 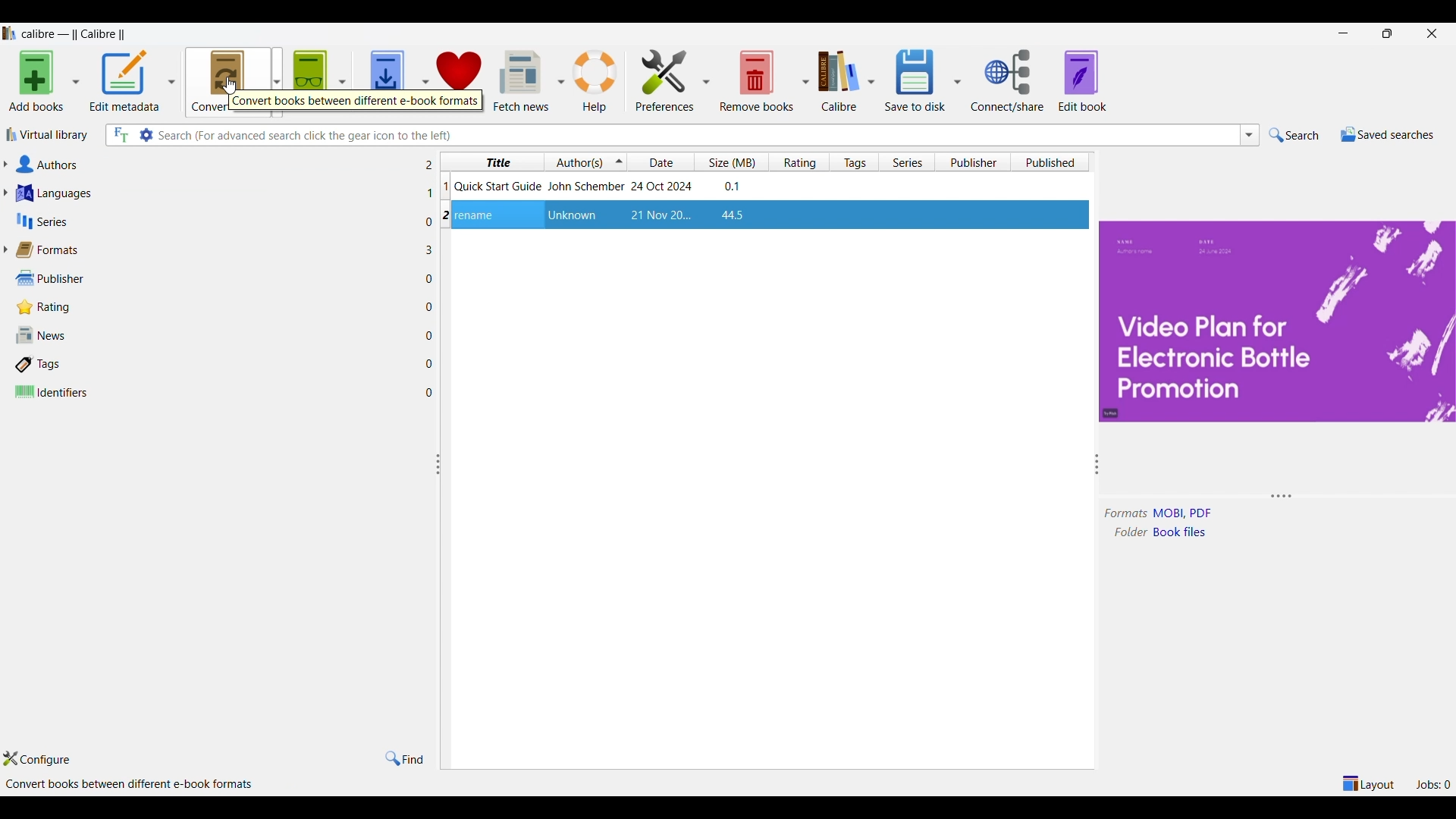 What do you see at coordinates (215, 334) in the screenshot?
I see `News` at bounding box center [215, 334].